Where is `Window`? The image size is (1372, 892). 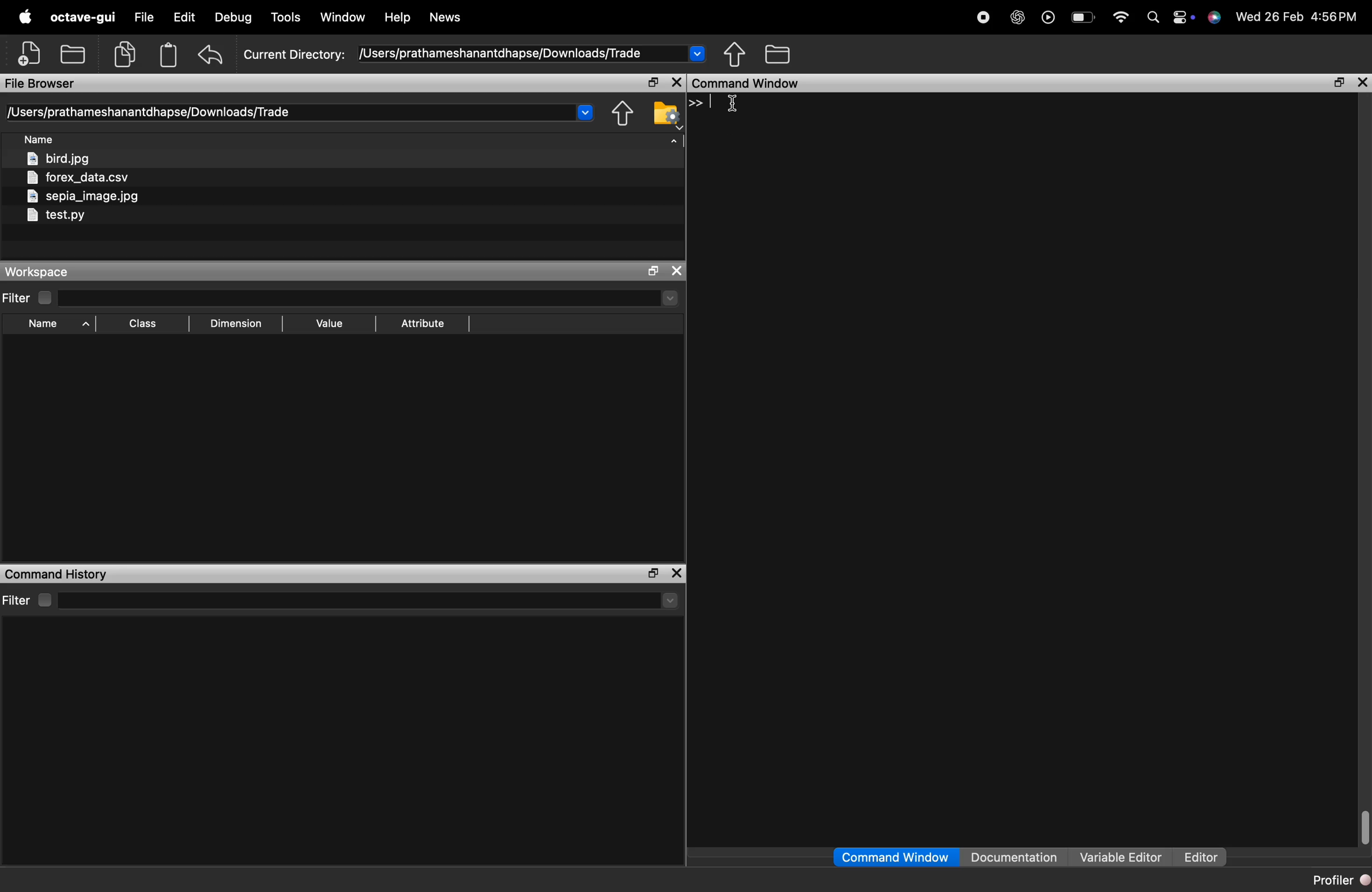
Window is located at coordinates (342, 16).